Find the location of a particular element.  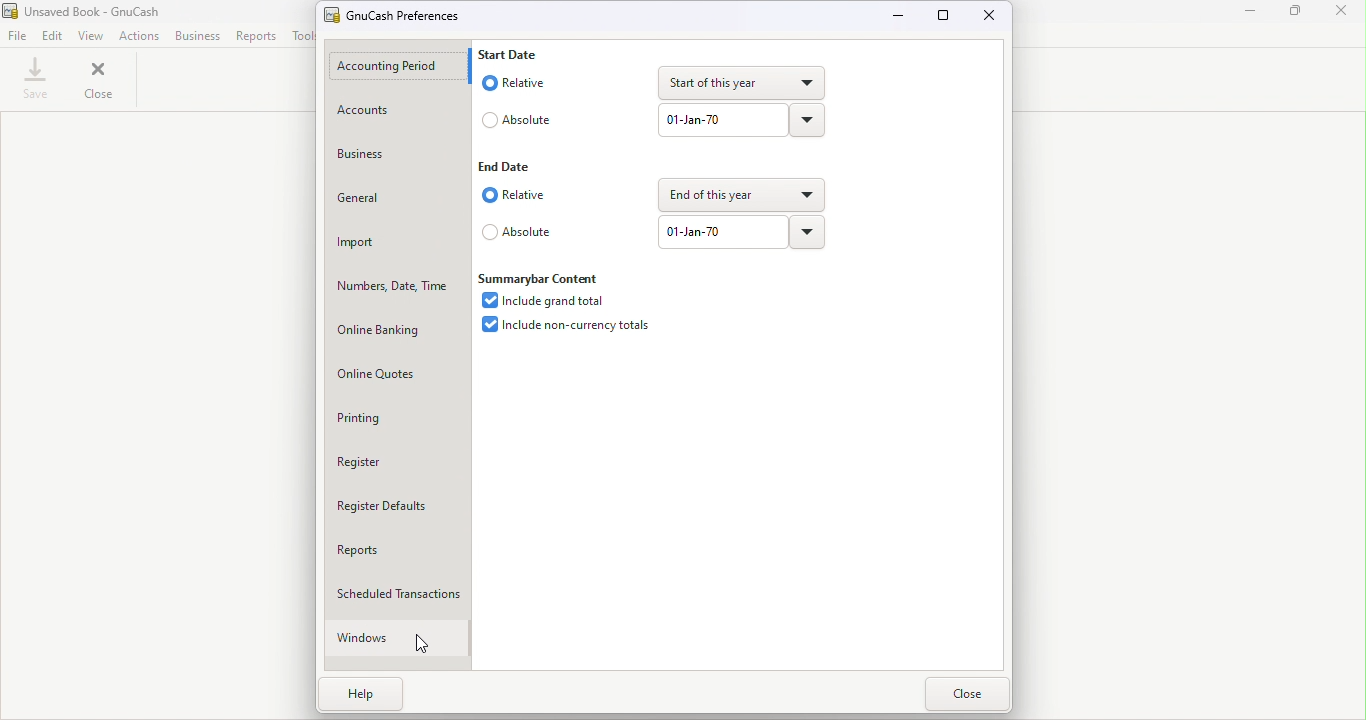

Online quotes is located at coordinates (399, 372).